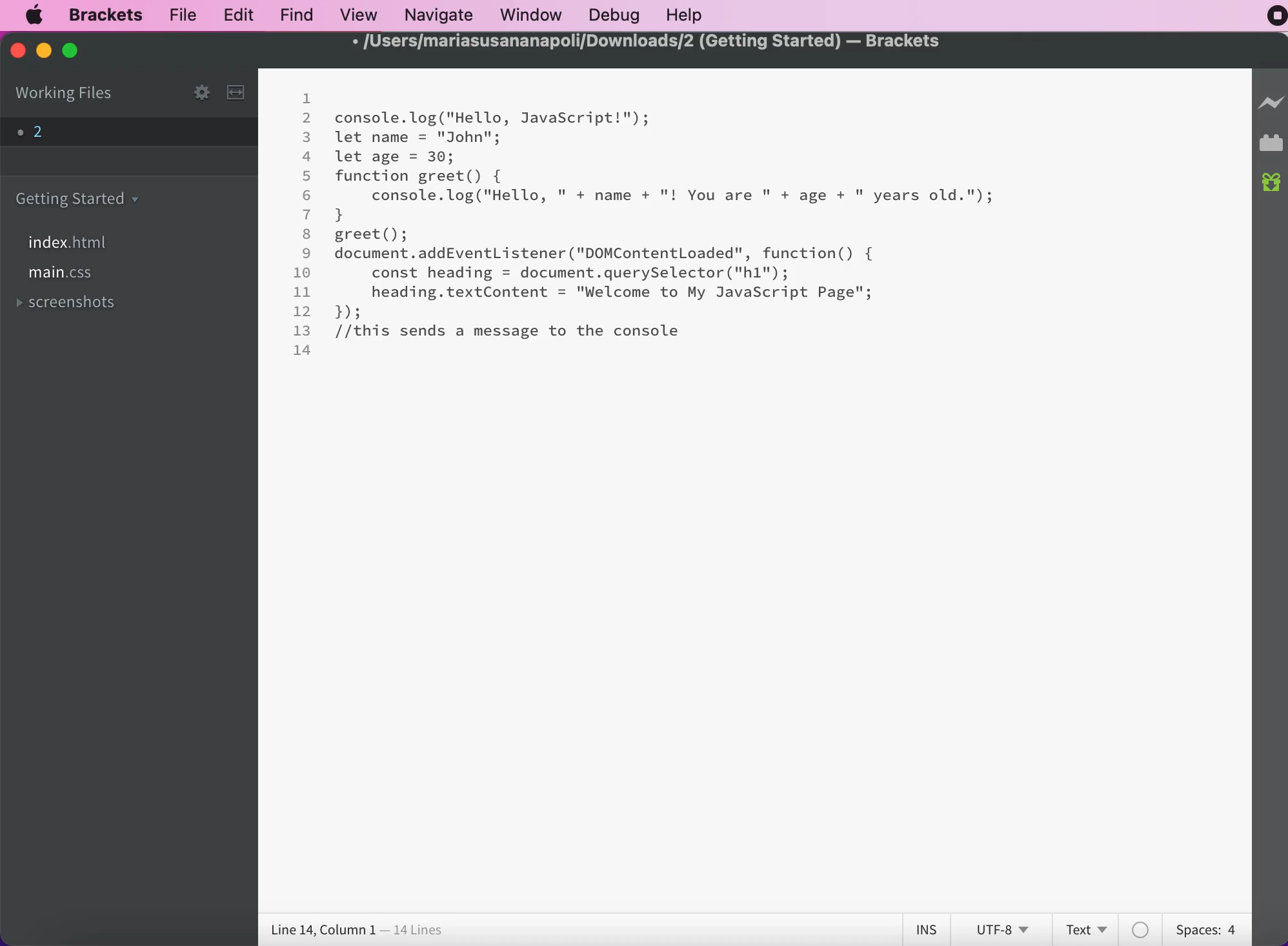 The image size is (1288, 946). Describe the element at coordinates (75, 53) in the screenshot. I see `maximize` at that location.